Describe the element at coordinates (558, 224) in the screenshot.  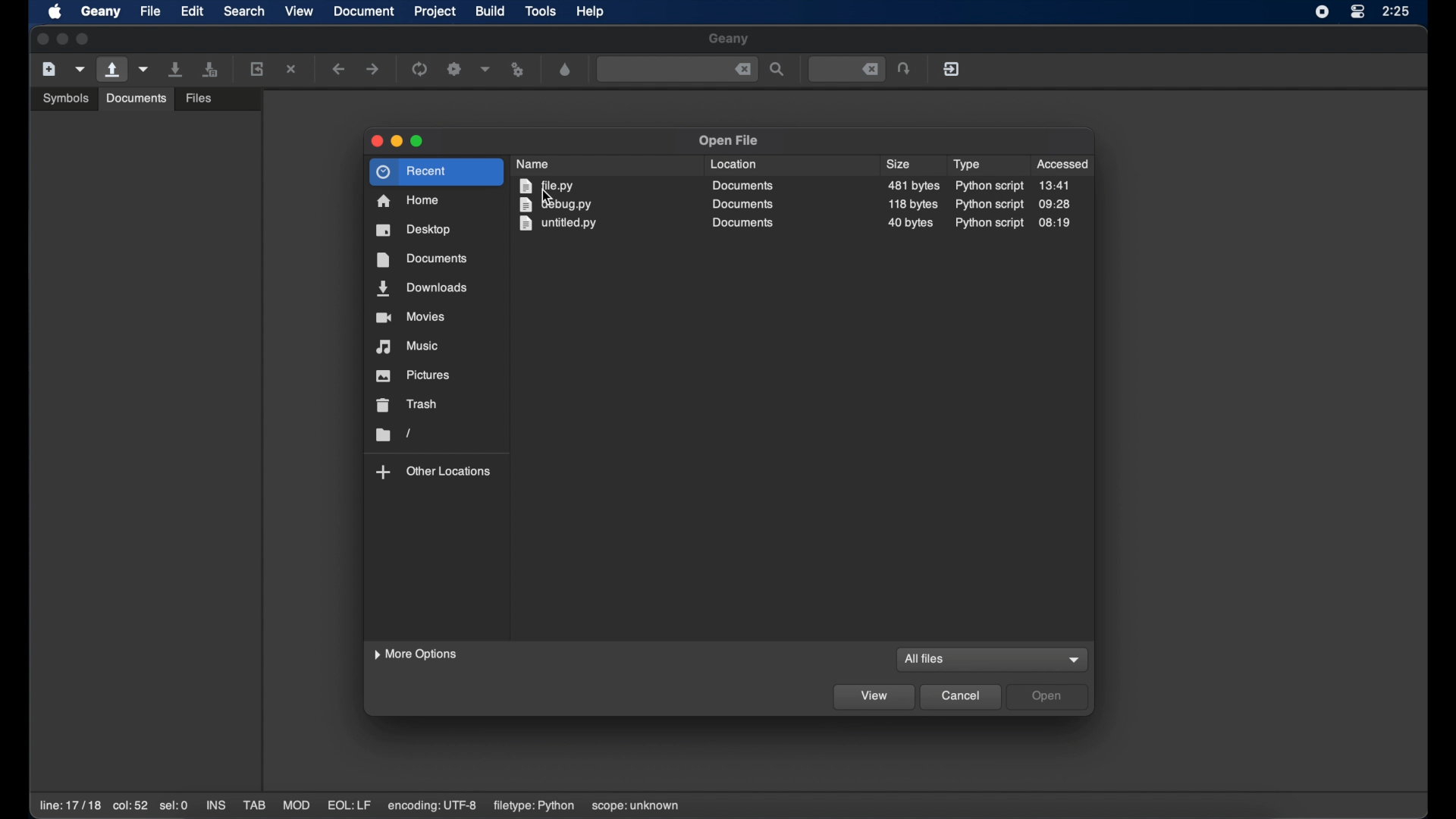
I see `untitled.py` at that location.